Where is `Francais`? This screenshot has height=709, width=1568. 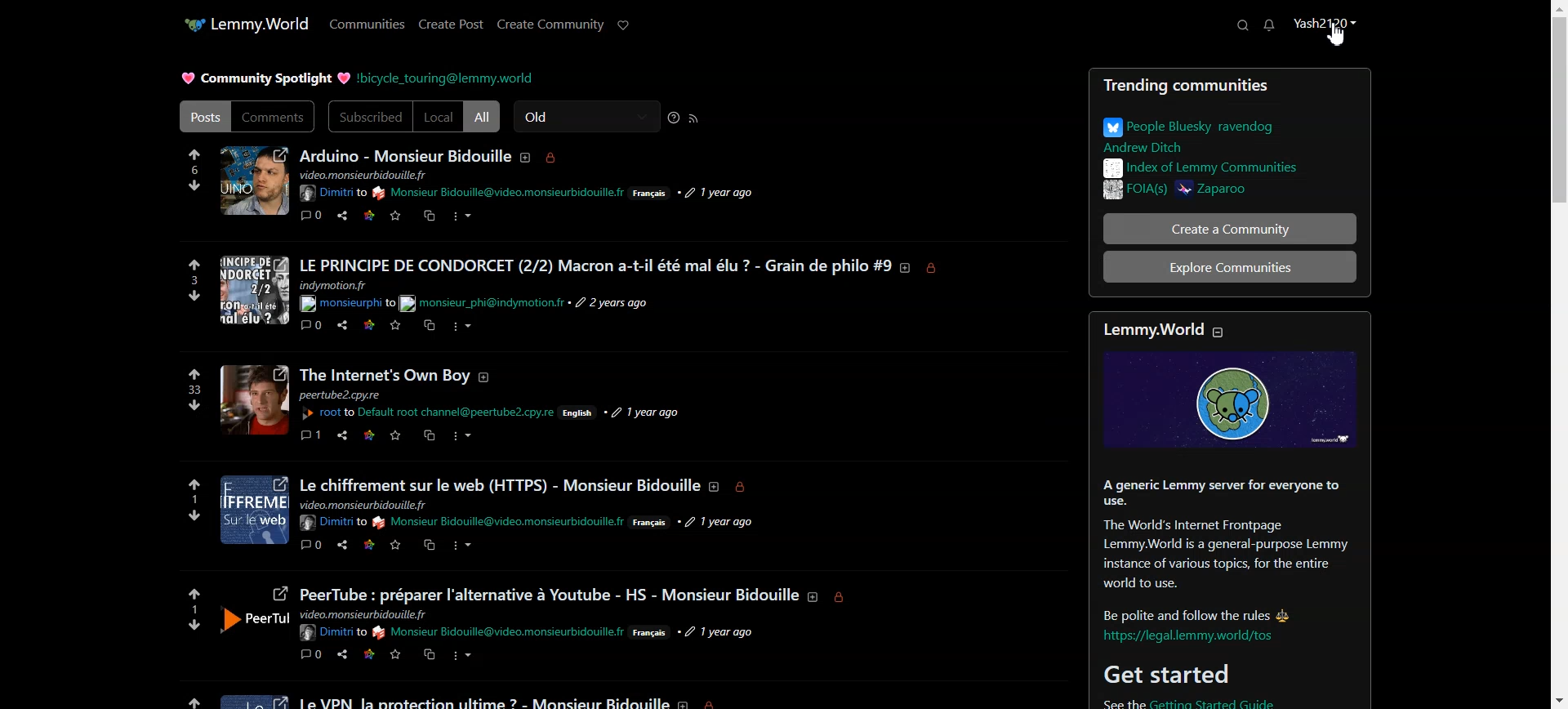 Francais is located at coordinates (651, 194).